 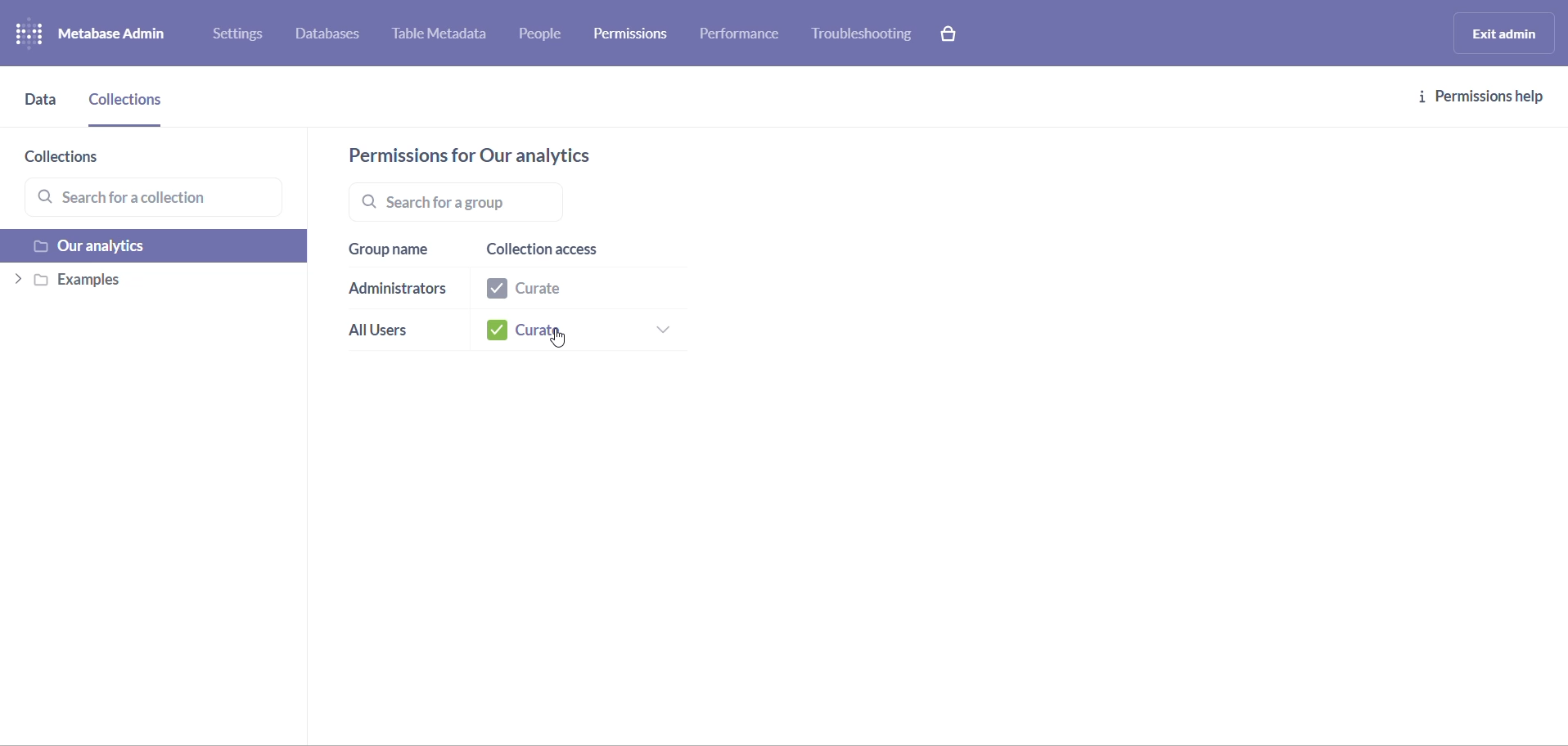 What do you see at coordinates (547, 36) in the screenshot?
I see `people` at bounding box center [547, 36].